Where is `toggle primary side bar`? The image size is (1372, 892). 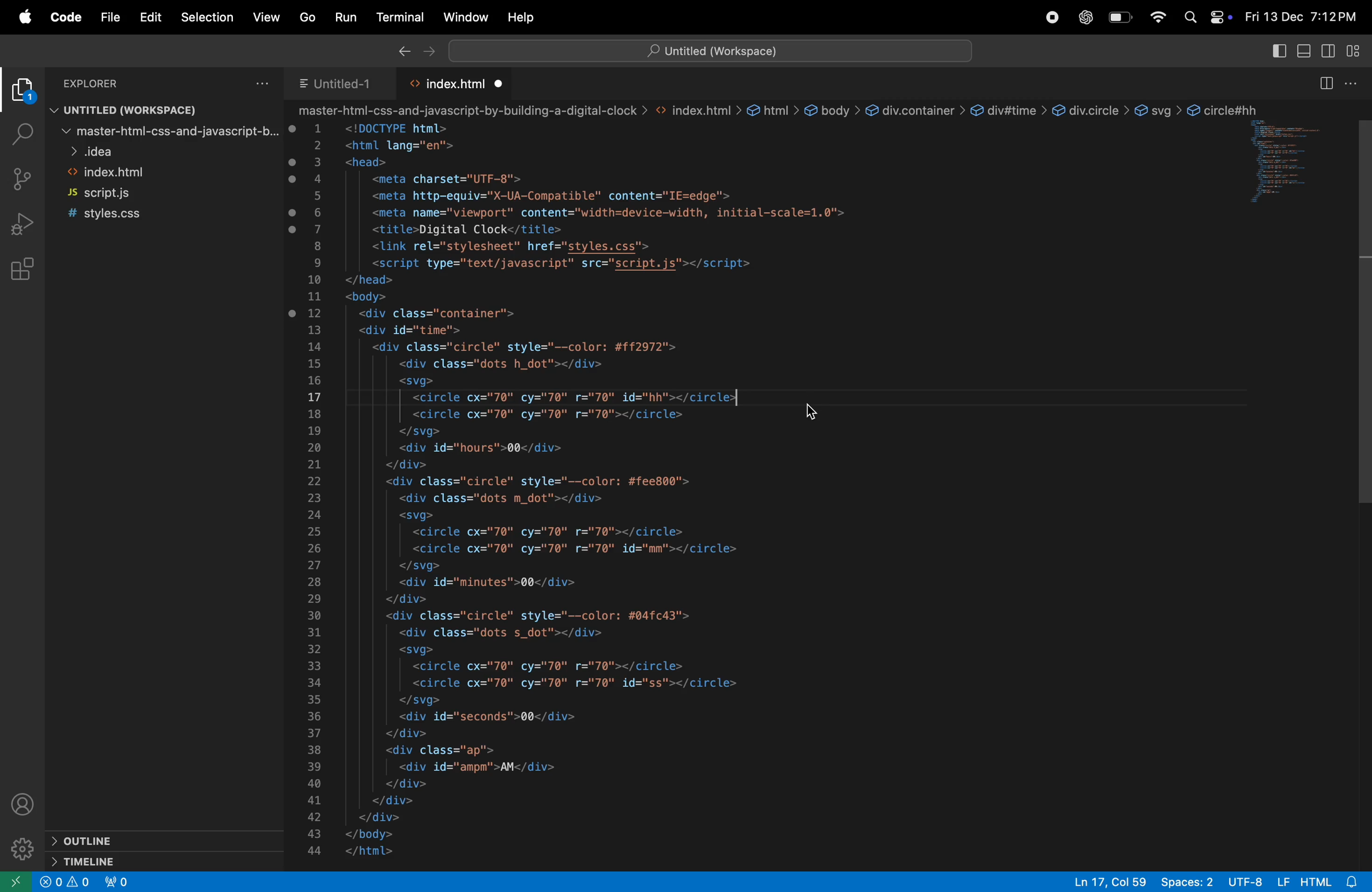
toggle primary side bar is located at coordinates (1278, 52).